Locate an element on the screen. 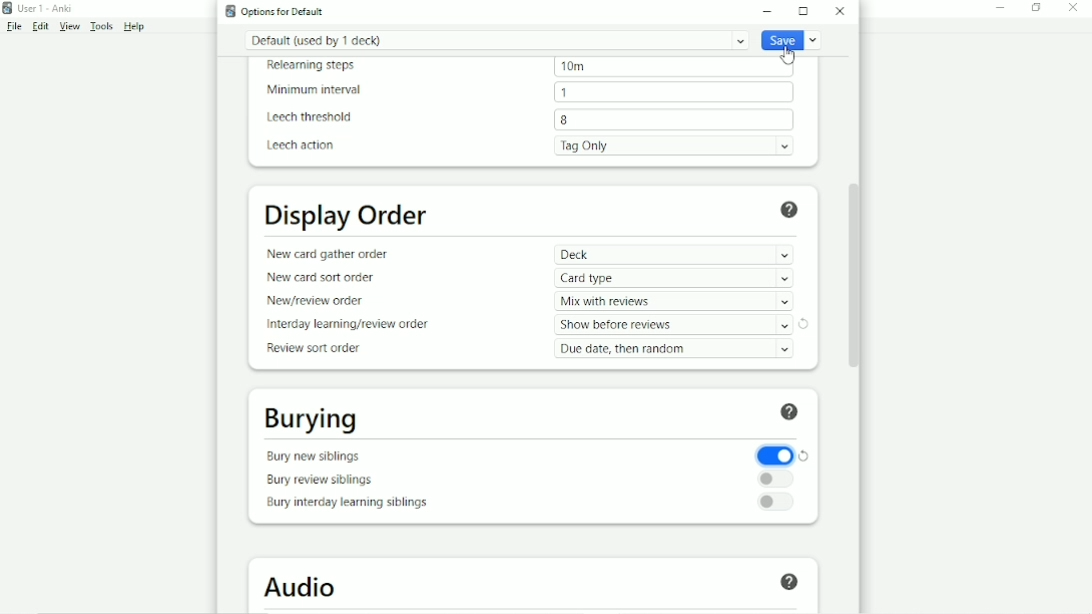  restore is located at coordinates (806, 454).